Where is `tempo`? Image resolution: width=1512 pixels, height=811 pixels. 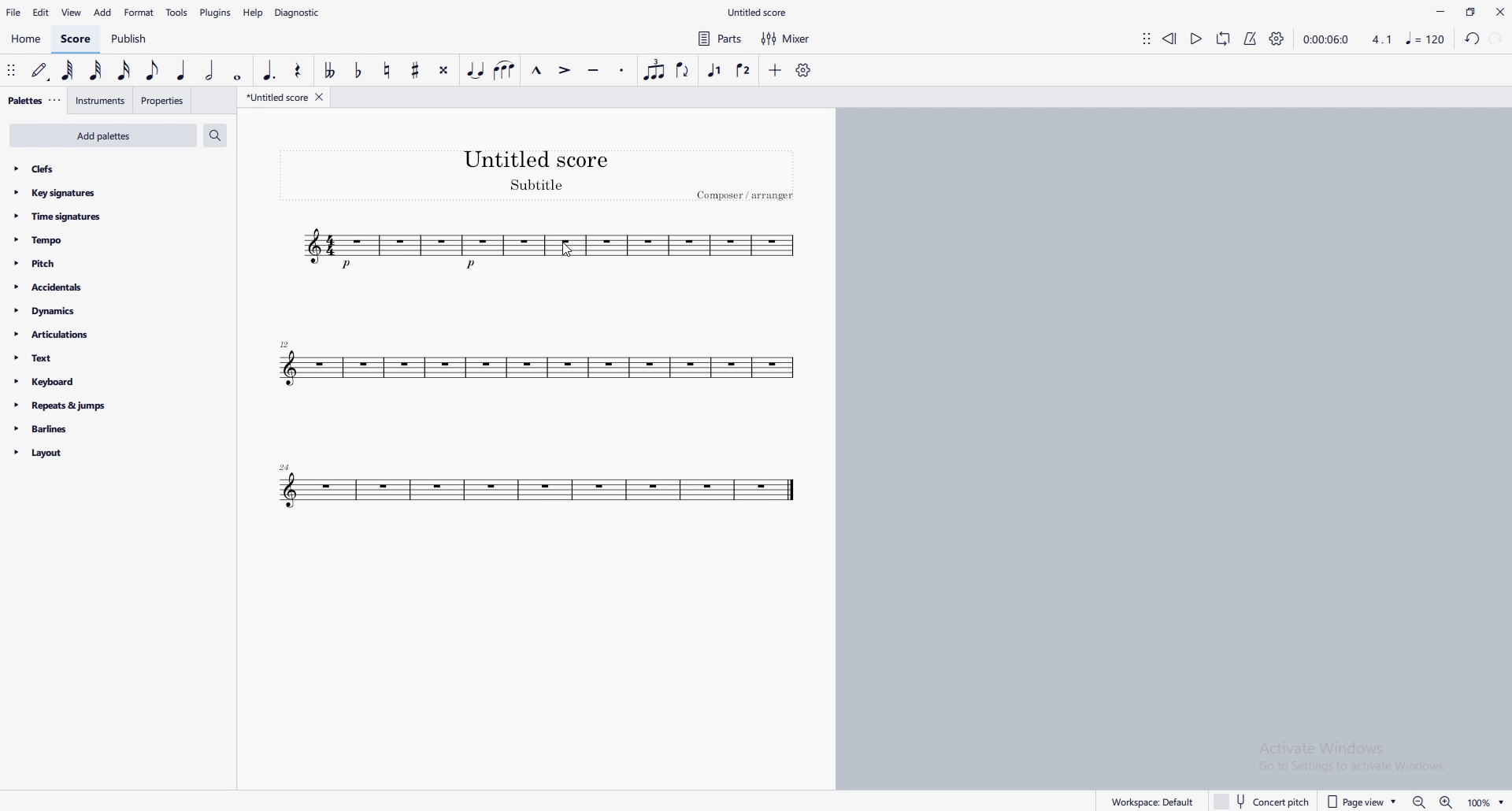
tempo is located at coordinates (102, 239).